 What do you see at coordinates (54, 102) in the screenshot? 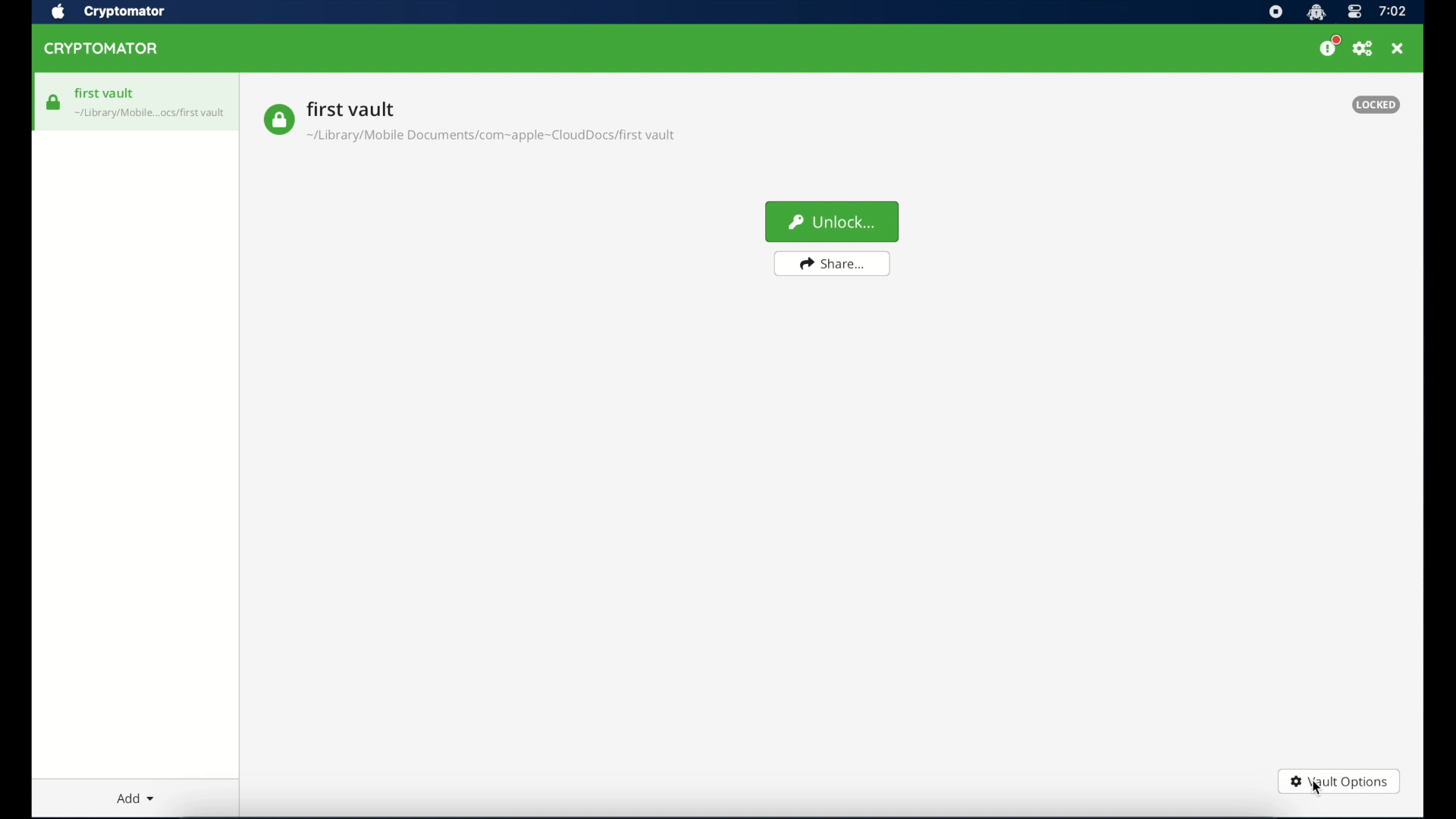
I see `vault icon` at bounding box center [54, 102].